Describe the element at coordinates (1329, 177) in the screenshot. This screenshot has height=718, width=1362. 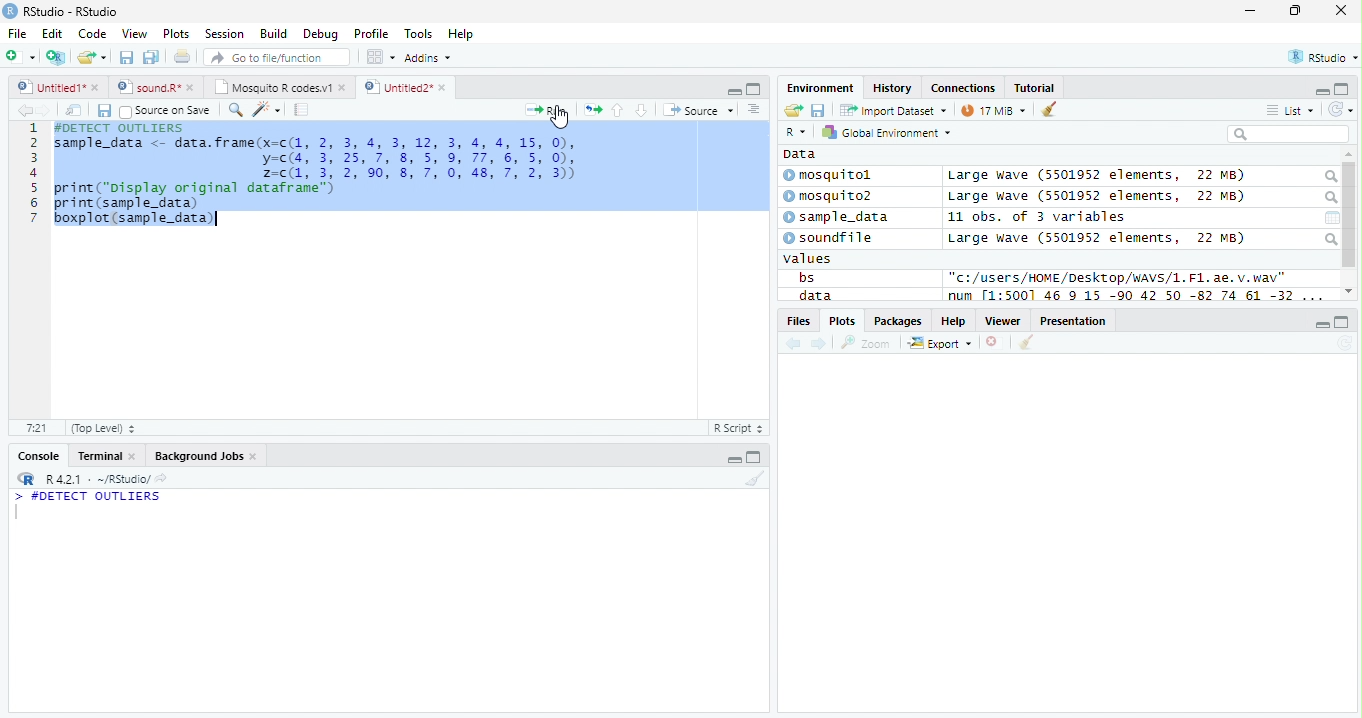
I see `search` at that location.